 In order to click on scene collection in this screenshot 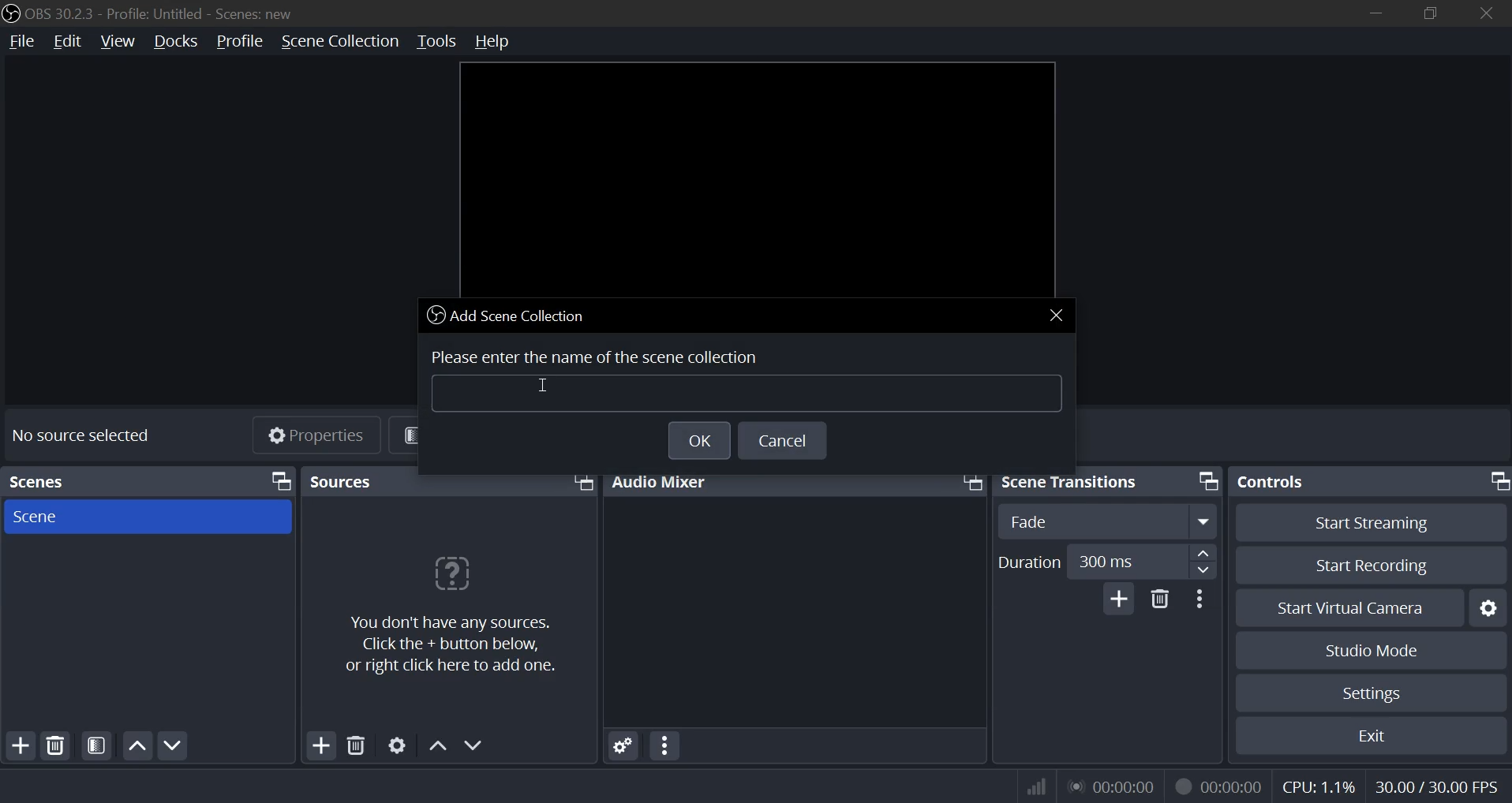, I will do `click(339, 41)`.